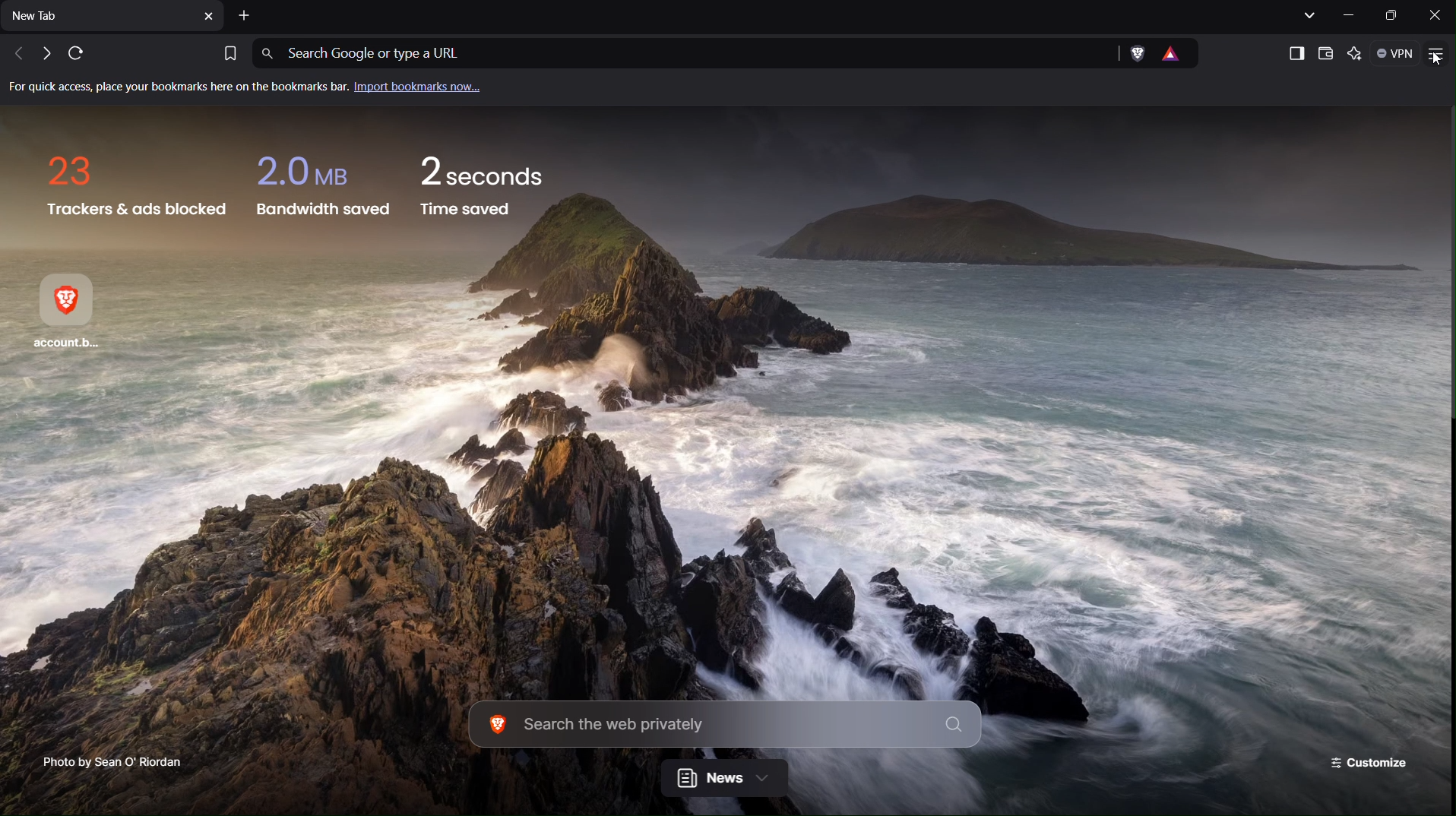  Describe the element at coordinates (106, 761) in the screenshot. I see `Photo Credit` at that location.